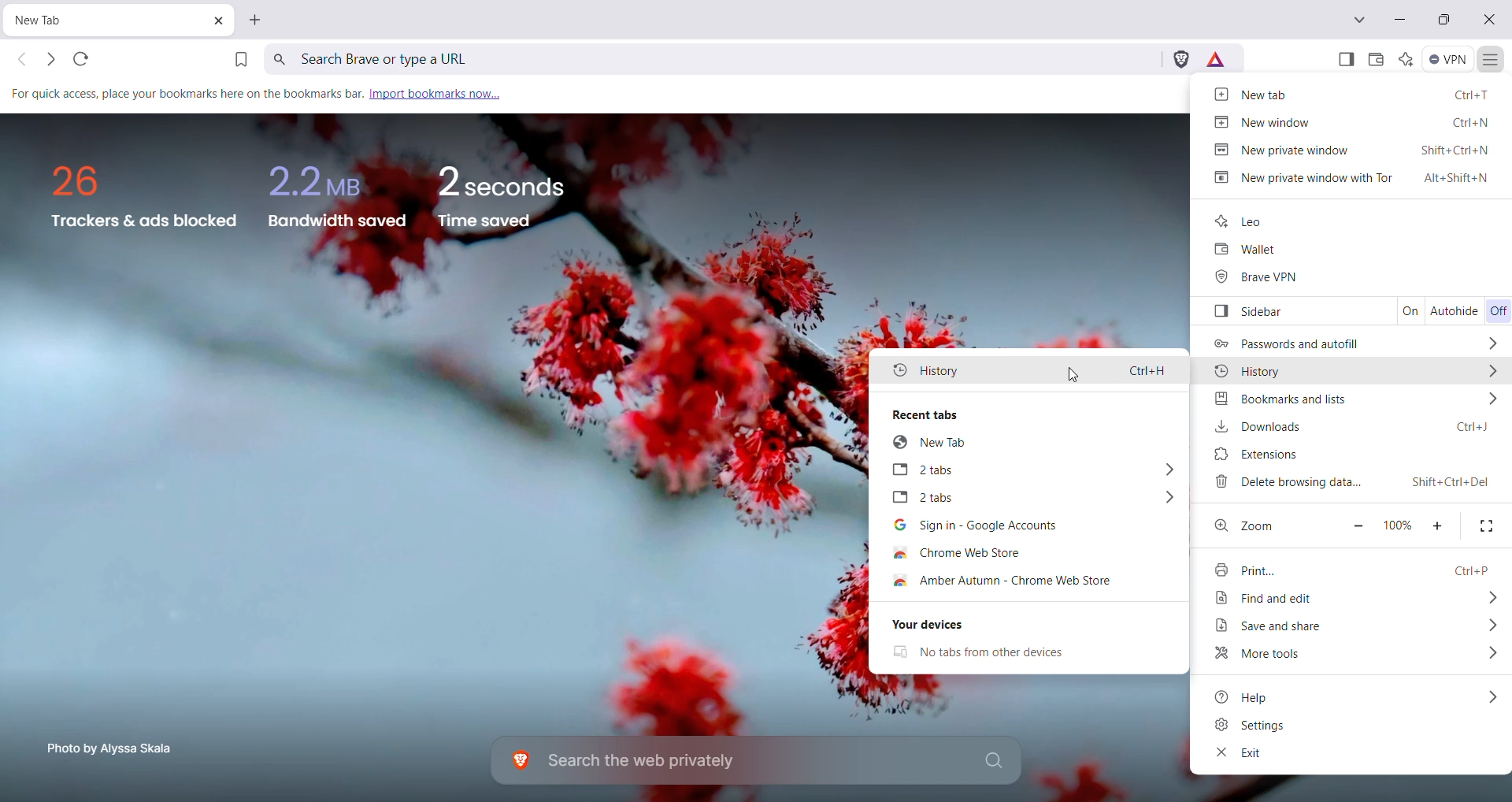 This screenshot has width=1512, height=802. Describe the element at coordinates (1358, 626) in the screenshot. I see `Save and Share` at that location.